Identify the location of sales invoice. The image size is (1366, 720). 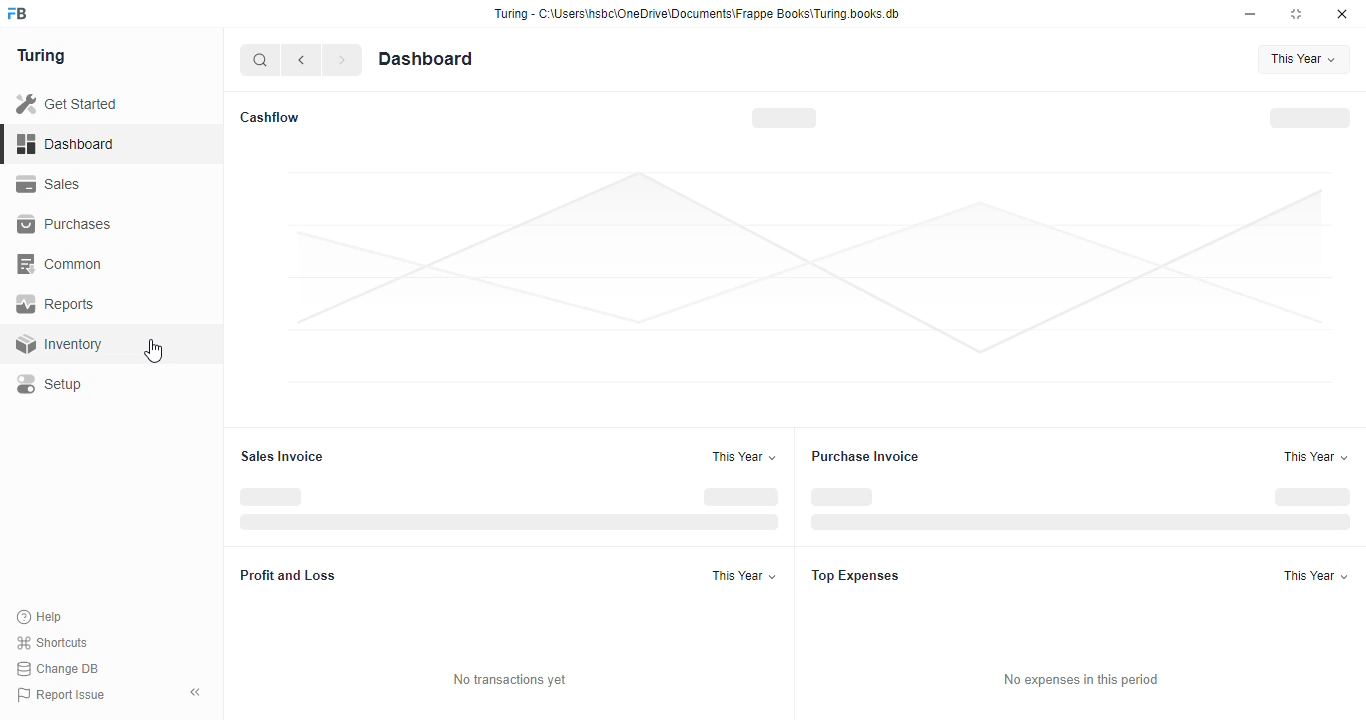
(282, 456).